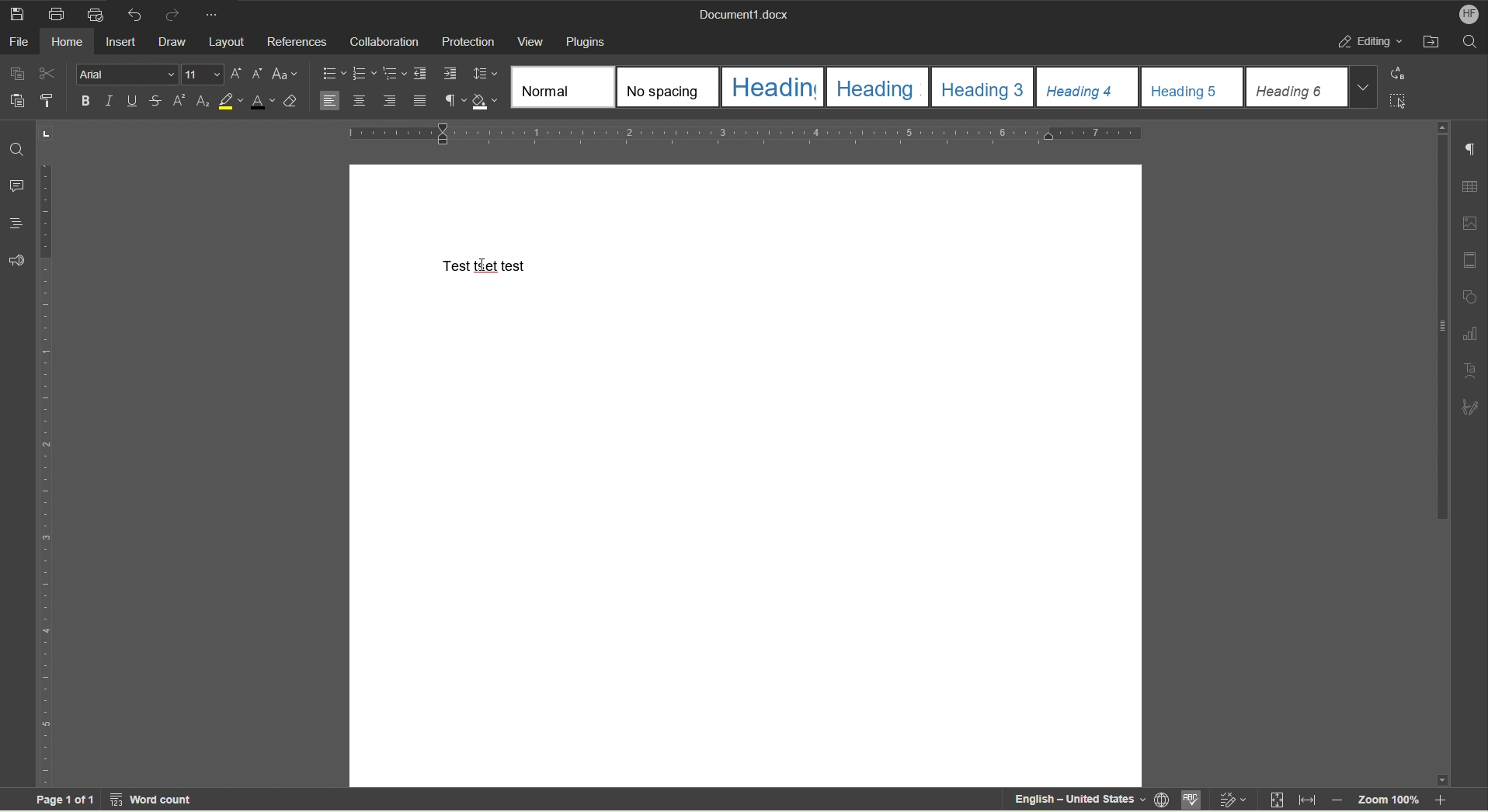 This screenshot has height=812, width=1488. What do you see at coordinates (483, 265) in the screenshot?
I see `Cursor` at bounding box center [483, 265].